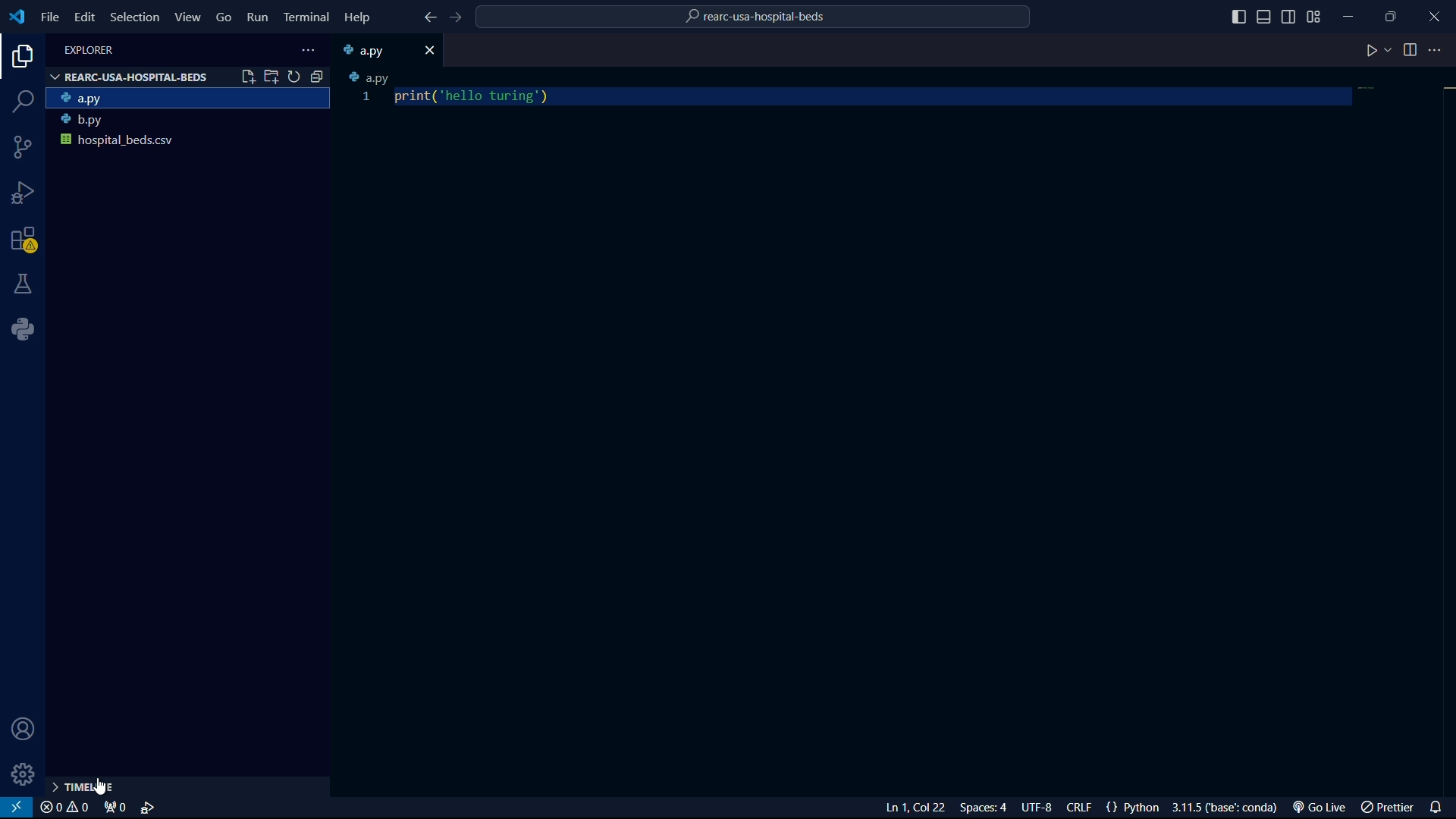 The height and width of the screenshot is (819, 1456). Describe the element at coordinates (371, 77) in the screenshot. I see `a.py` at that location.